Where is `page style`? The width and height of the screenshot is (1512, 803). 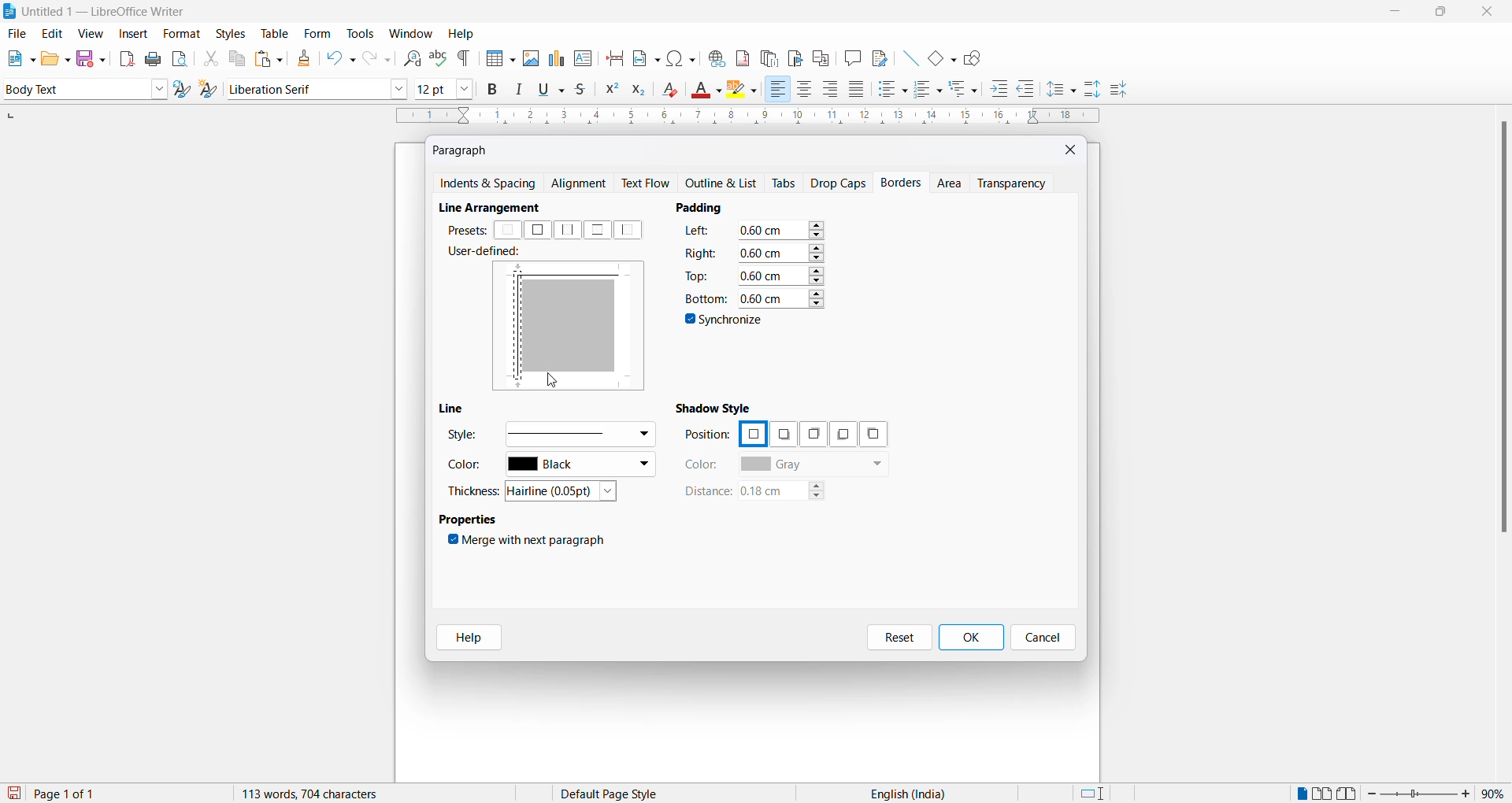
page style is located at coordinates (615, 794).